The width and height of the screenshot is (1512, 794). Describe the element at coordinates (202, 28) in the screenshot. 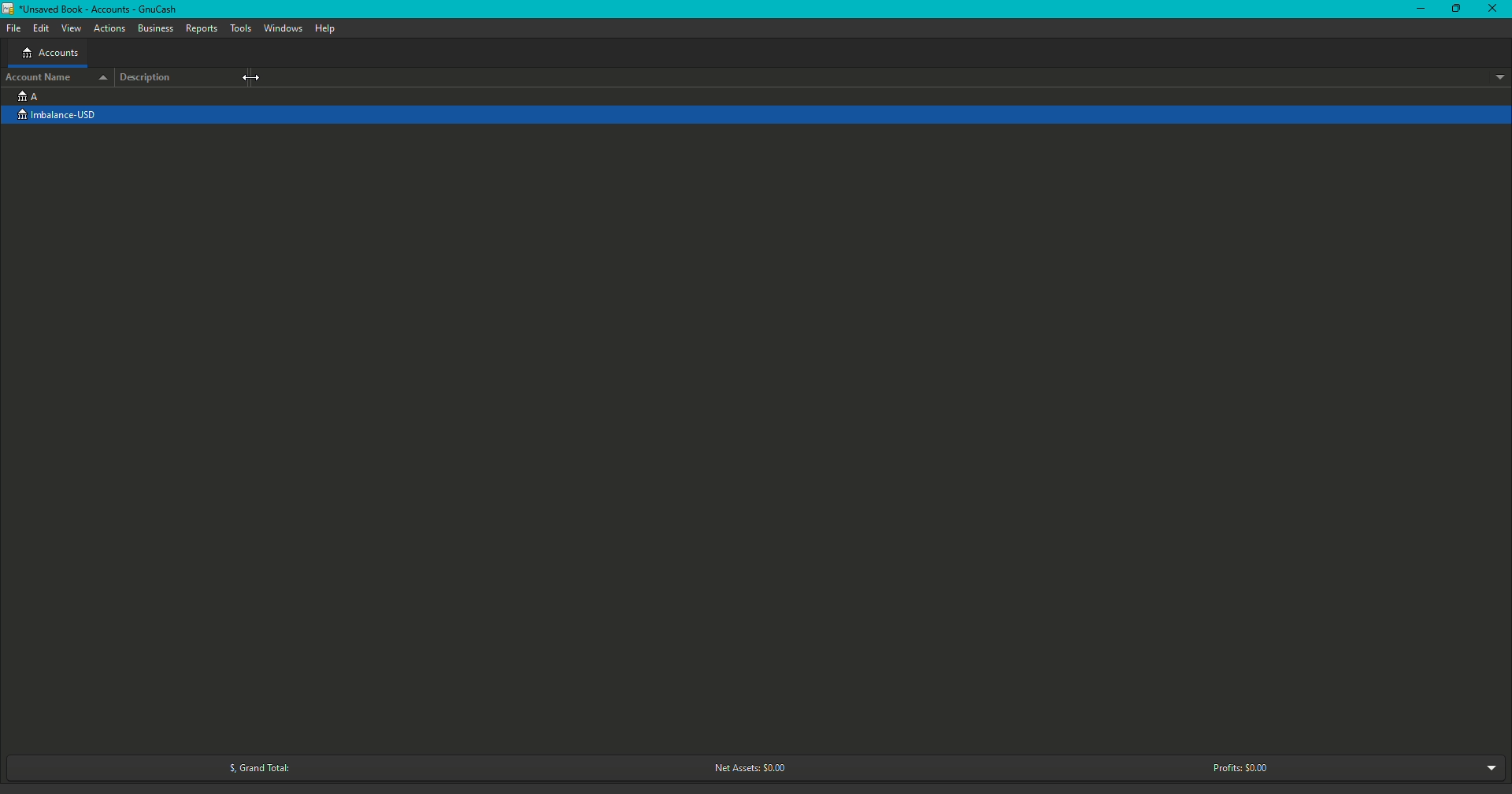

I see `Reports` at that location.